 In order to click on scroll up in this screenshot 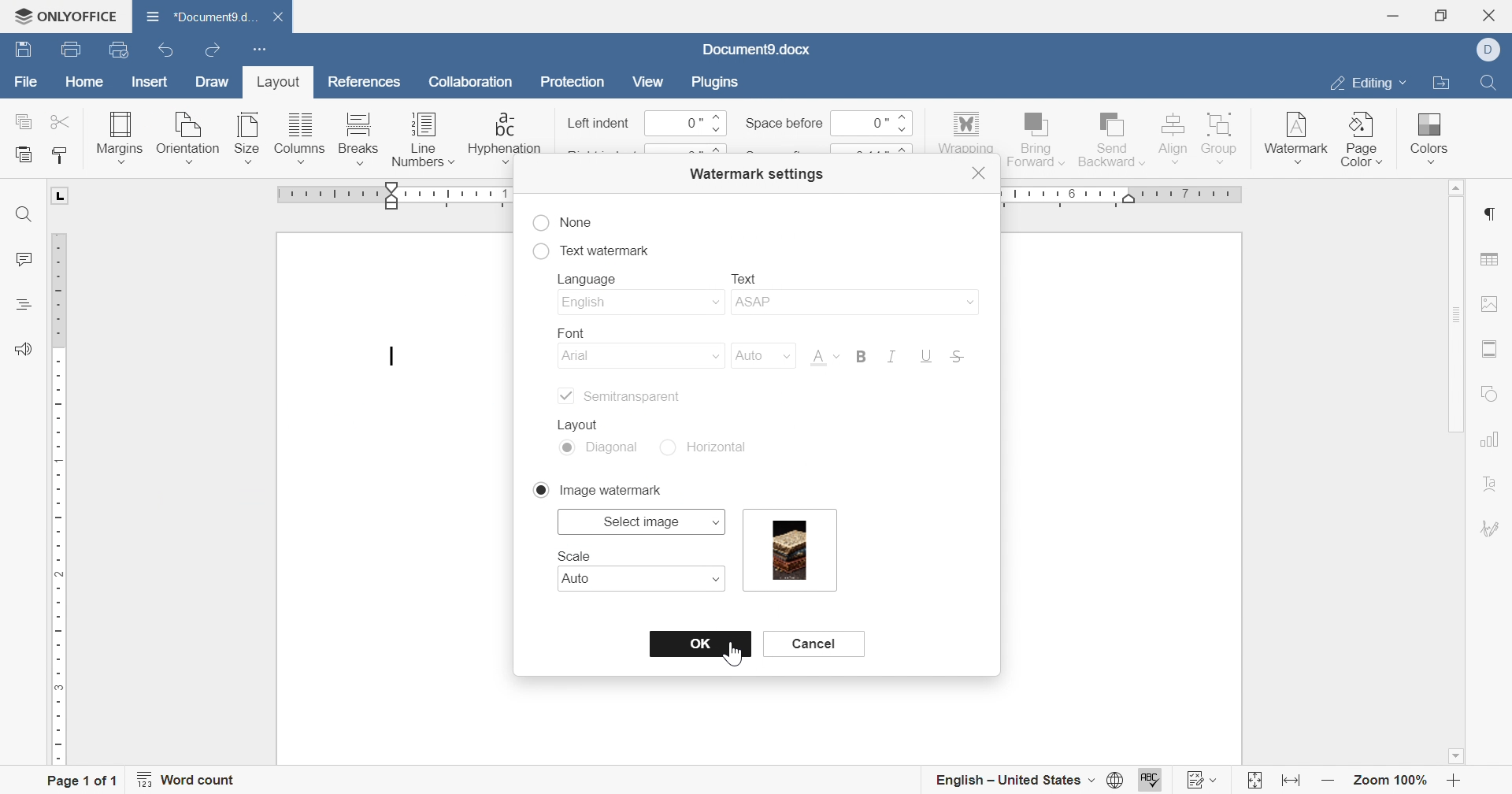, I will do `click(1451, 187)`.